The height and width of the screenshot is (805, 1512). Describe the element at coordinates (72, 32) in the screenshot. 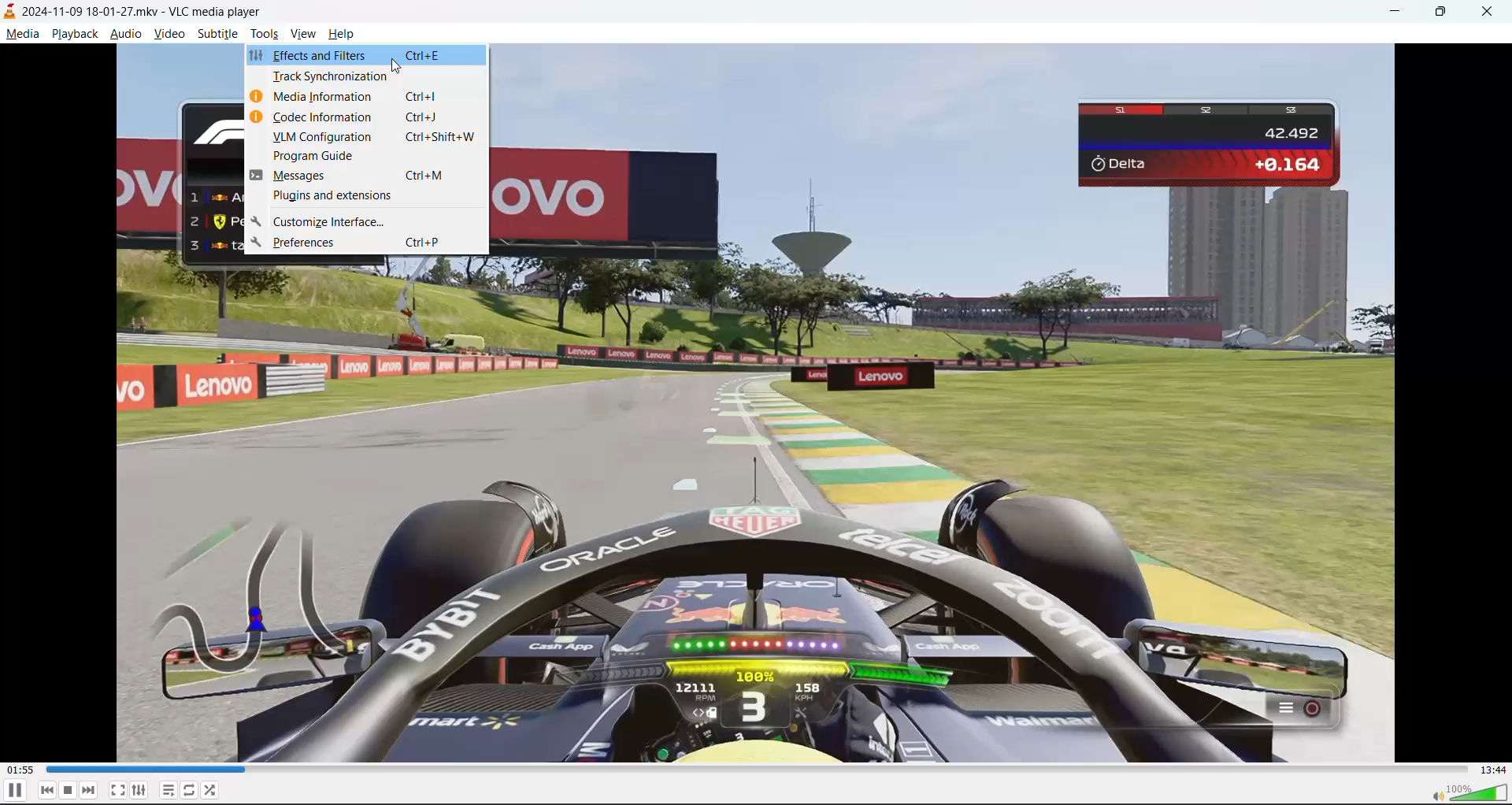

I see `playback` at that location.